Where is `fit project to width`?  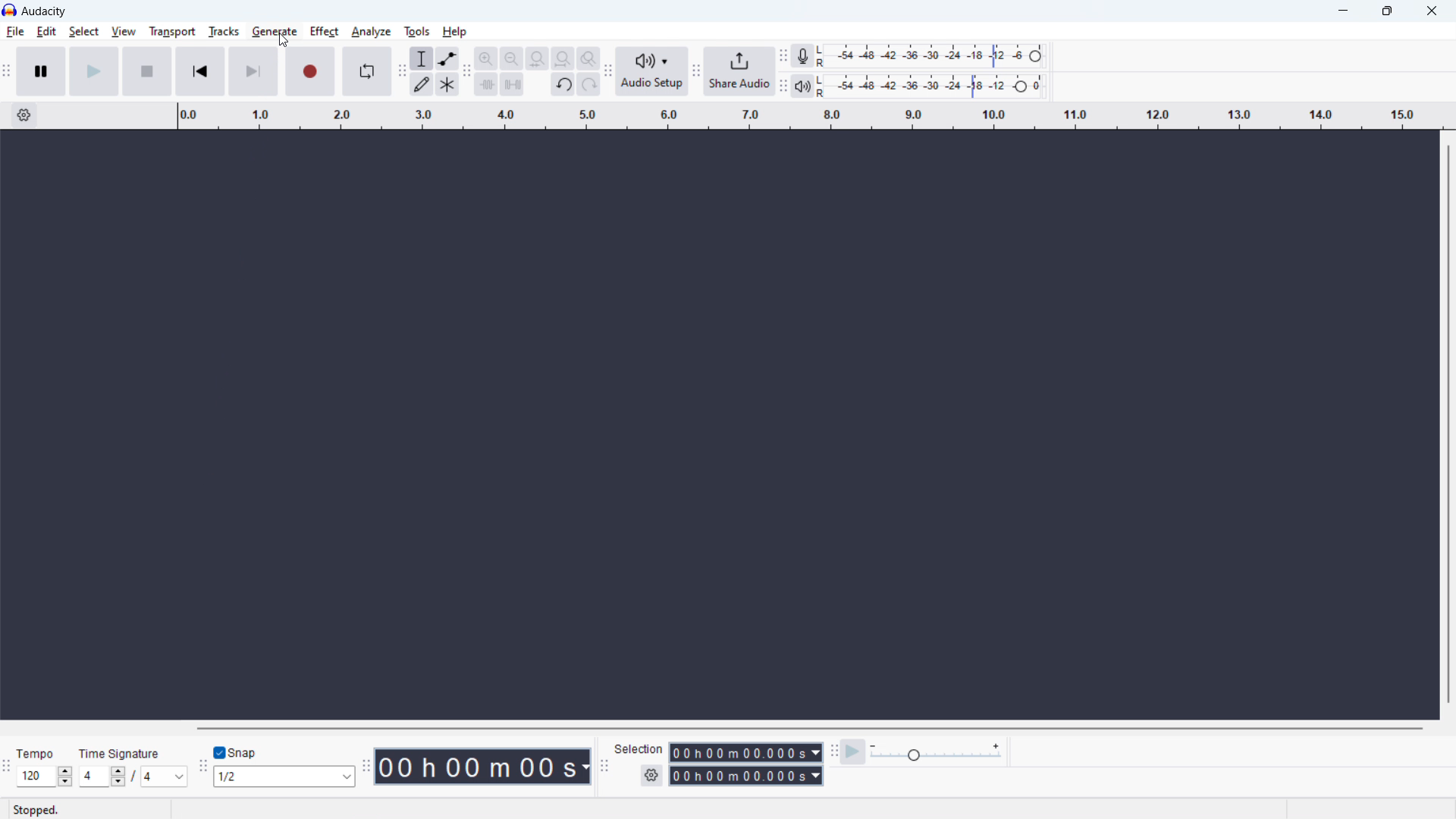 fit project to width is located at coordinates (563, 58).